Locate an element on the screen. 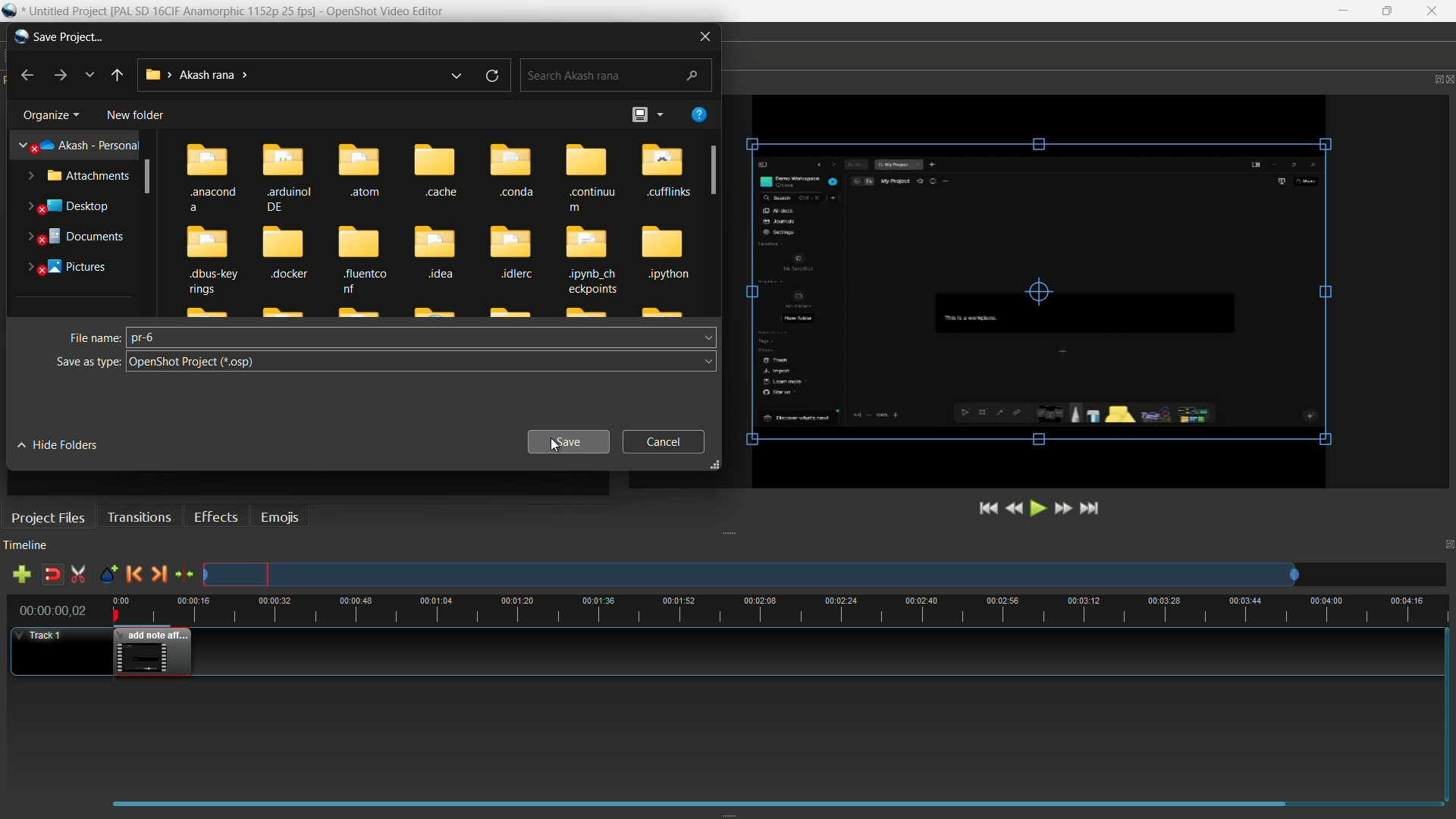 Image resolution: width=1456 pixels, height=819 pixels. save as type is located at coordinates (88, 361).